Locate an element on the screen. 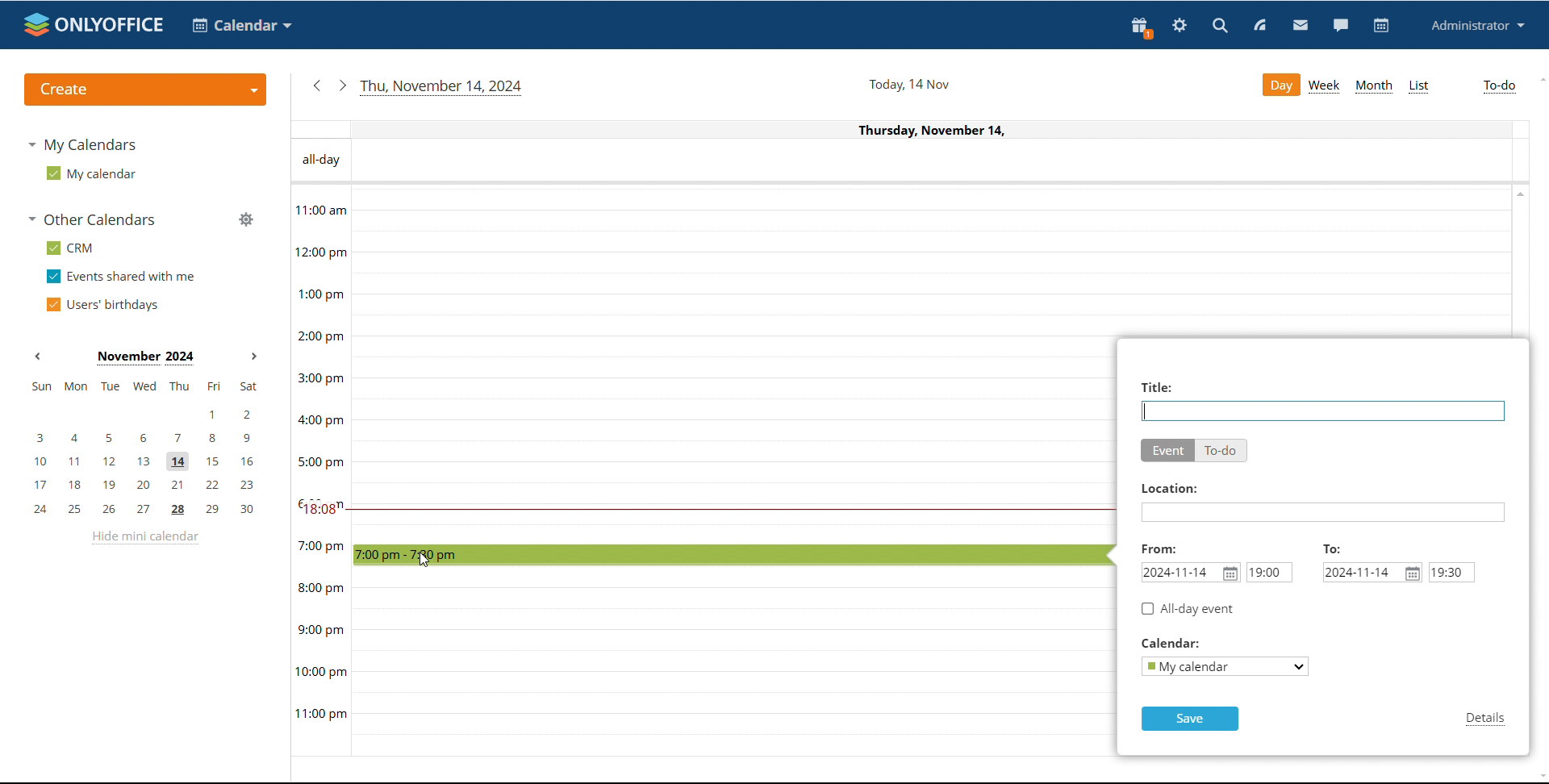 The image size is (1549, 784). all day event checkbox is located at coordinates (1188, 608).